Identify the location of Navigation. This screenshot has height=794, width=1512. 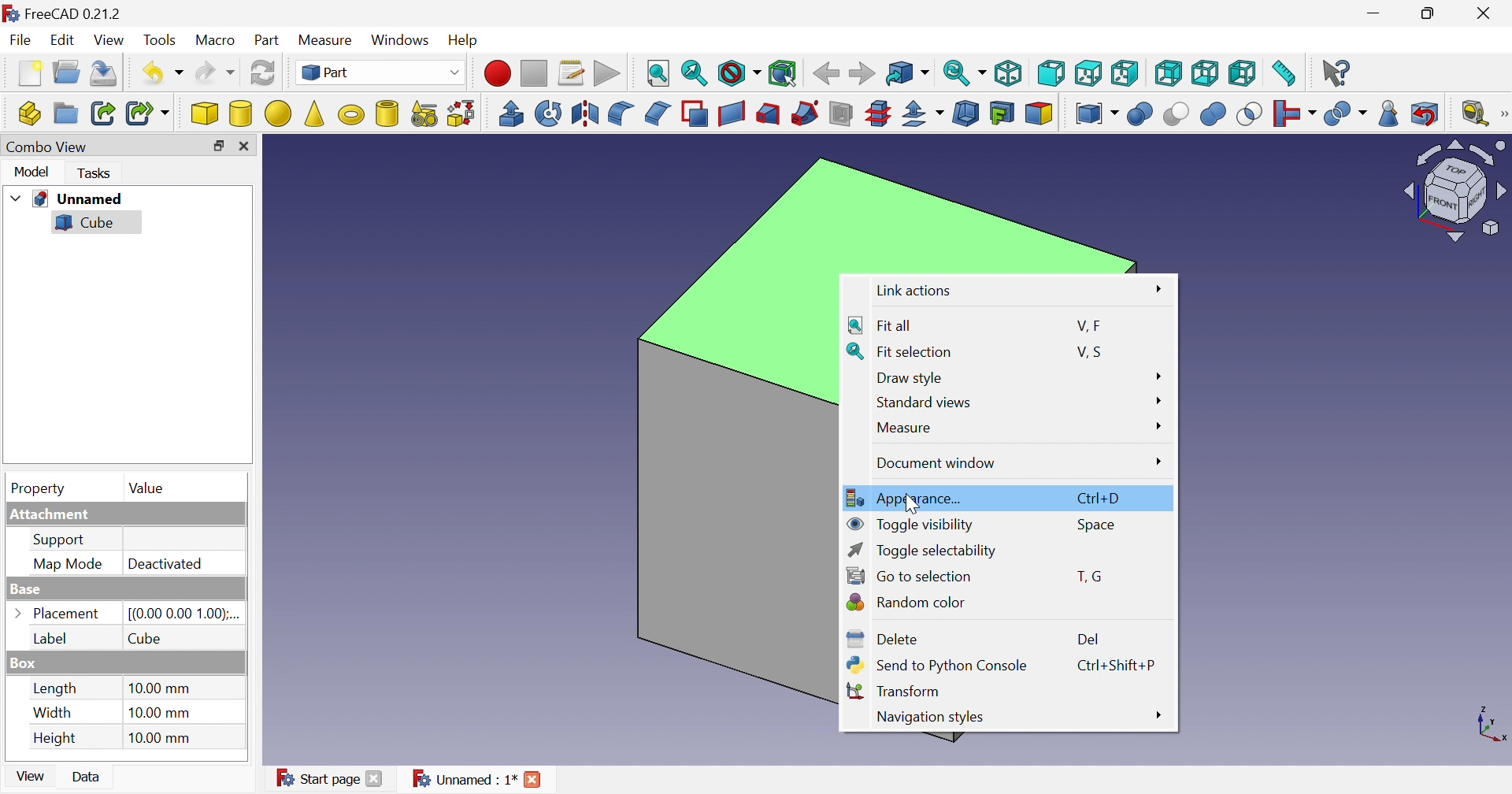
(929, 718).